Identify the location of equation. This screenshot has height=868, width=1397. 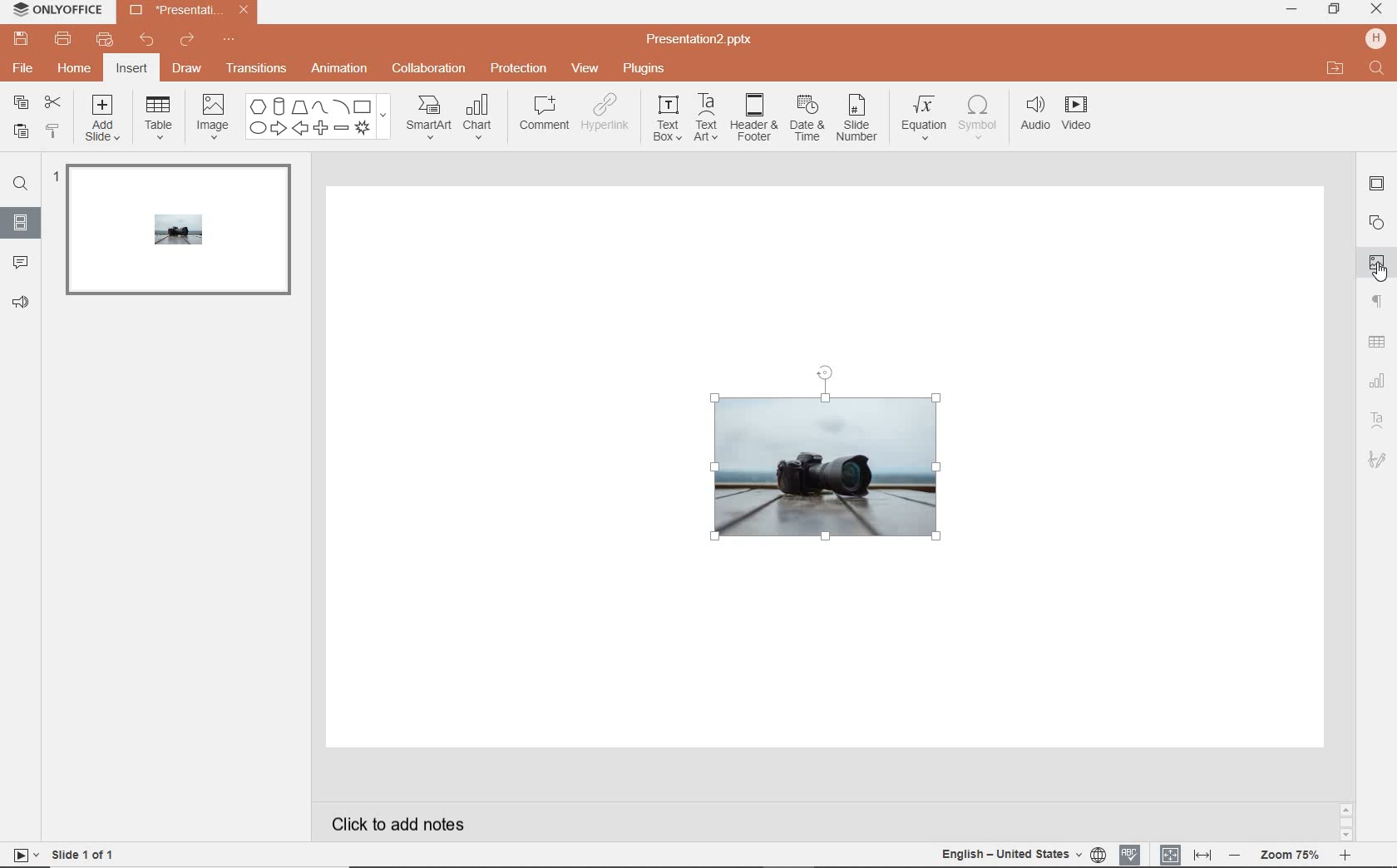
(925, 114).